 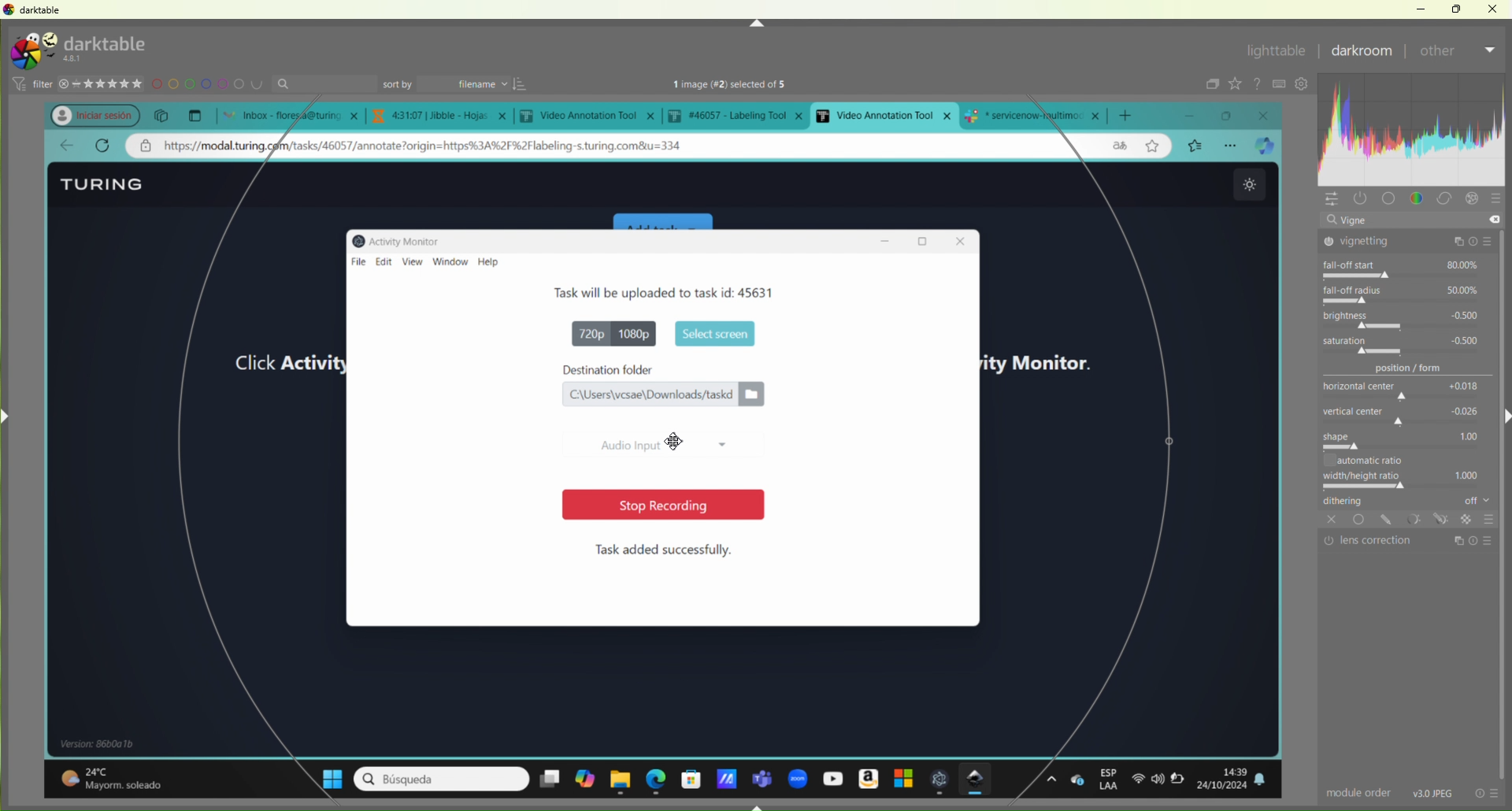 What do you see at coordinates (1394, 460) in the screenshot?
I see `automatic ratio` at bounding box center [1394, 460].